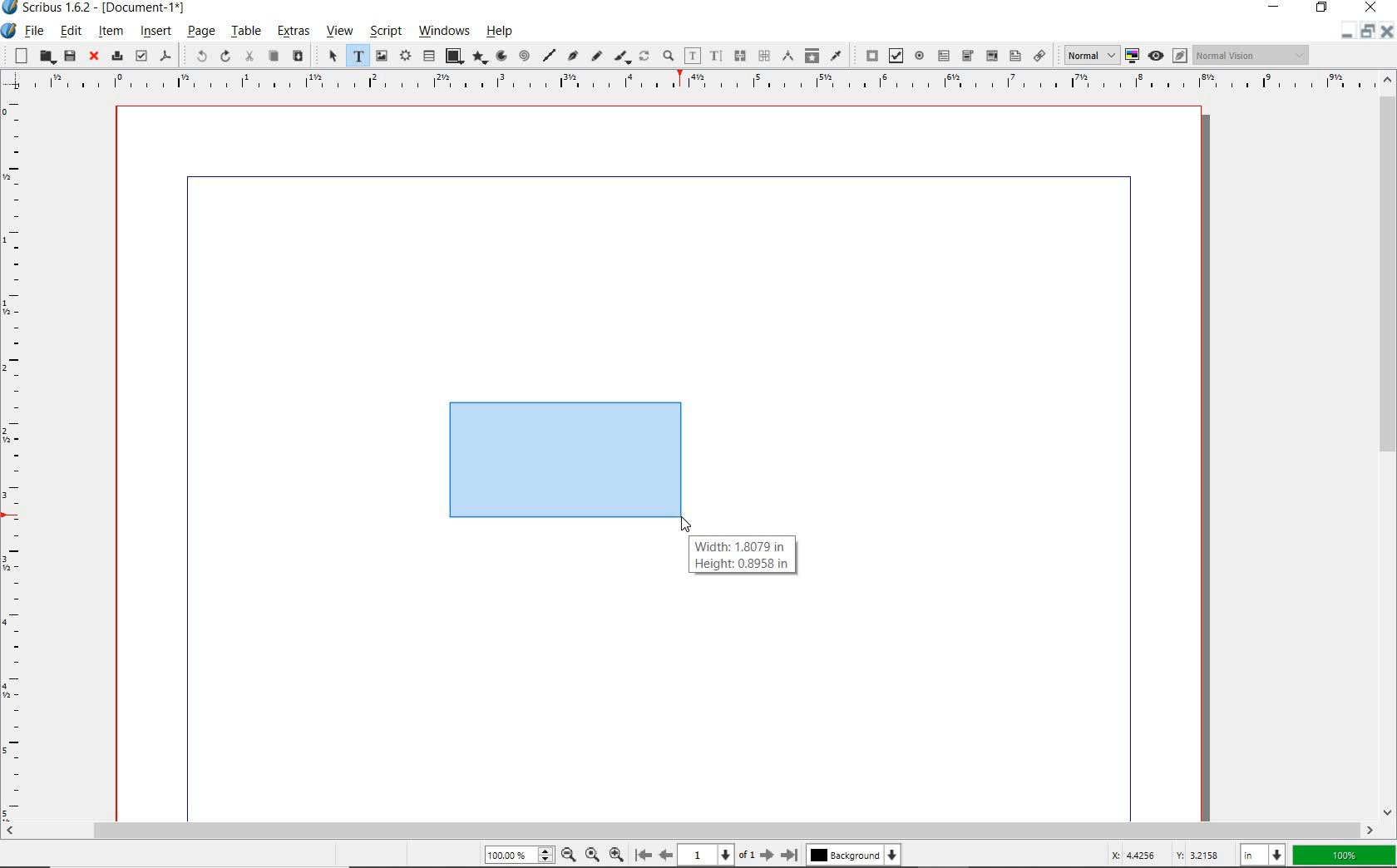 The height and width of the screenshot is (868, 1397). Describe the element at coordinates (154, 31) in the screenshot. I see `insert` at that location.